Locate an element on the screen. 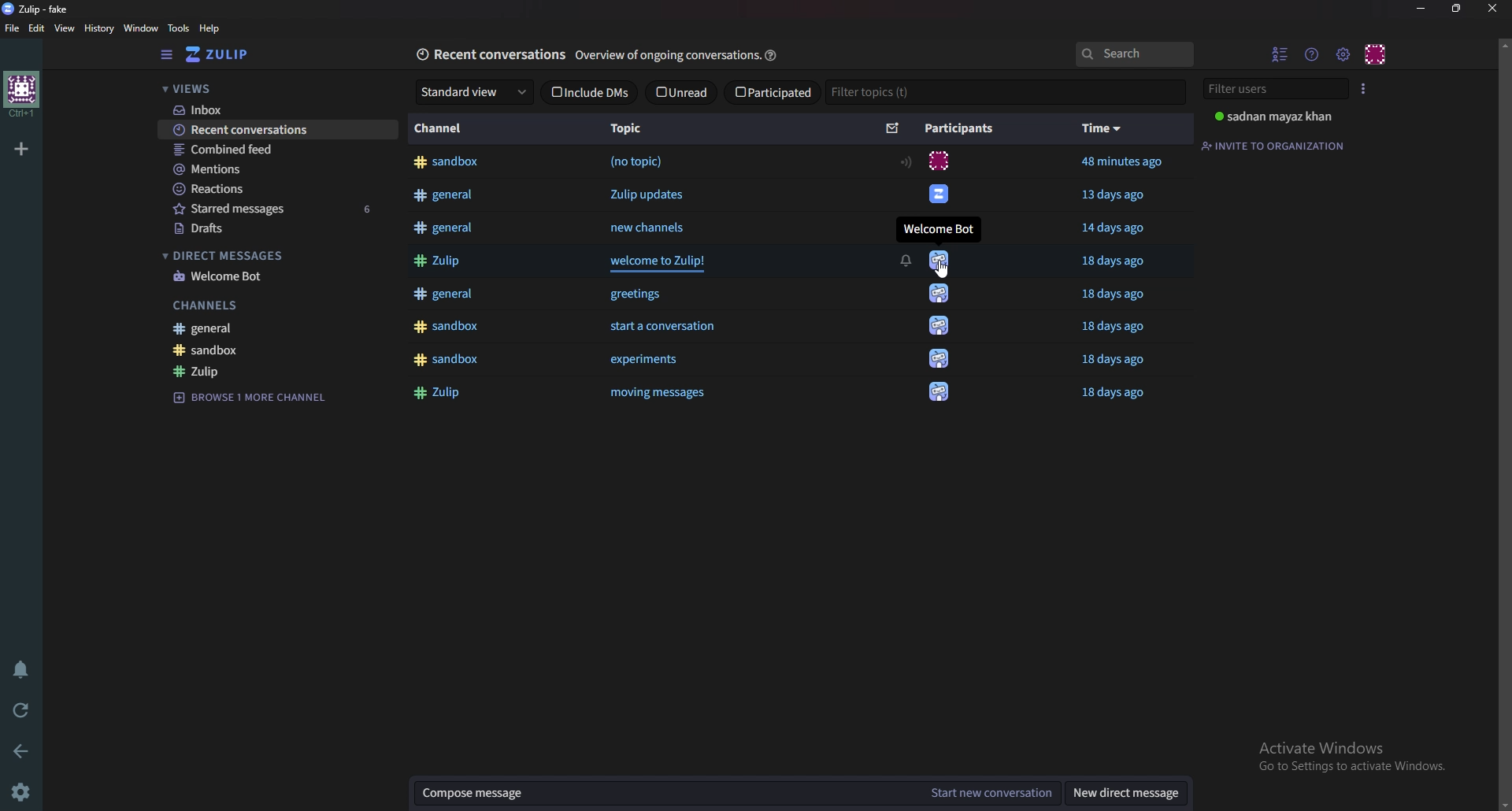 The width and height of the screenshot is (1512, 811). icon is located at coordinates (942, 260).